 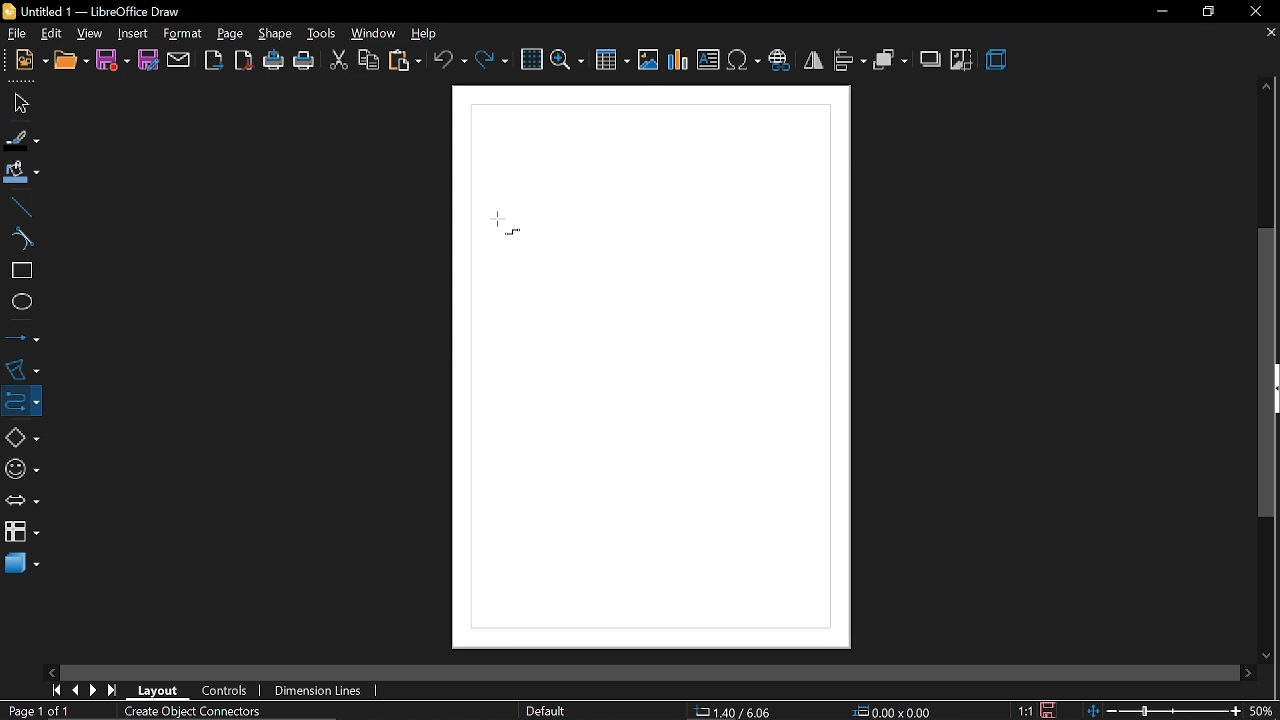 What do you see at coordinates (1269, 653) in the screenshot?
I see `move down` at bounding box center [1269, 653].